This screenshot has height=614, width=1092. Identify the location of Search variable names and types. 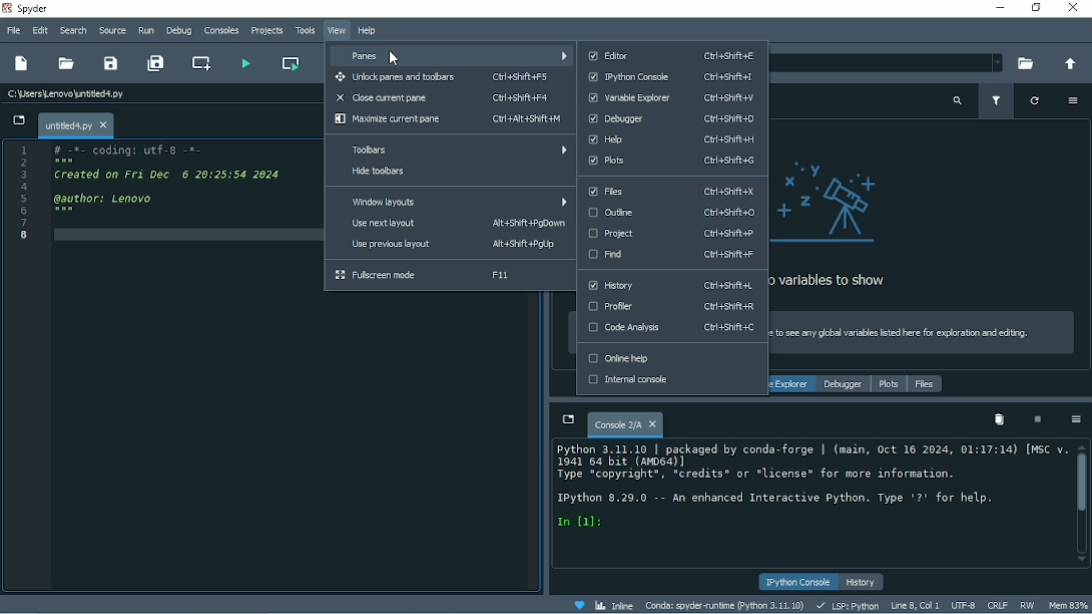
(957, 101).